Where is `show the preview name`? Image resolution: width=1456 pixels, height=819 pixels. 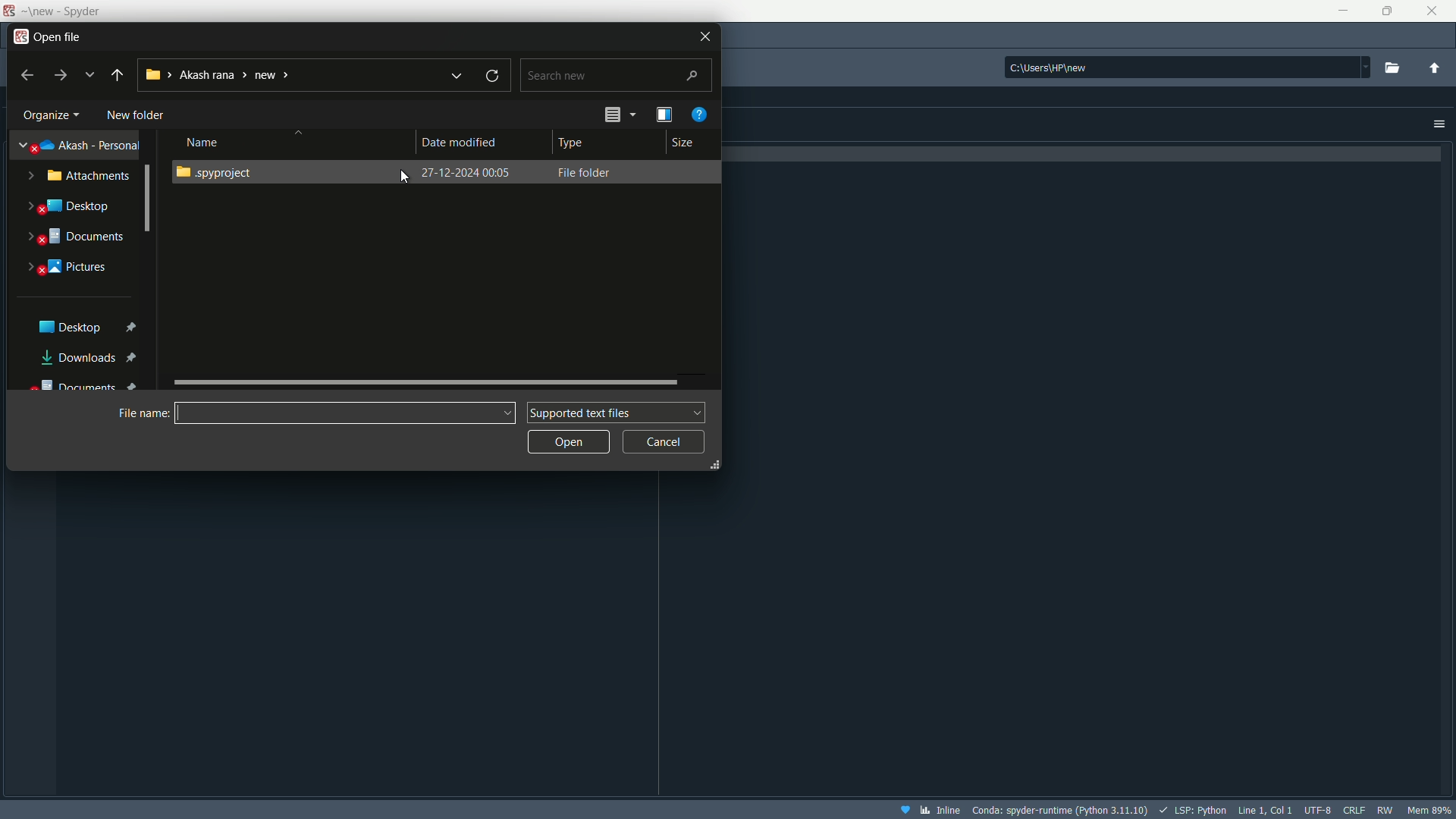
show the preview name is located at coordinates (664, 113).